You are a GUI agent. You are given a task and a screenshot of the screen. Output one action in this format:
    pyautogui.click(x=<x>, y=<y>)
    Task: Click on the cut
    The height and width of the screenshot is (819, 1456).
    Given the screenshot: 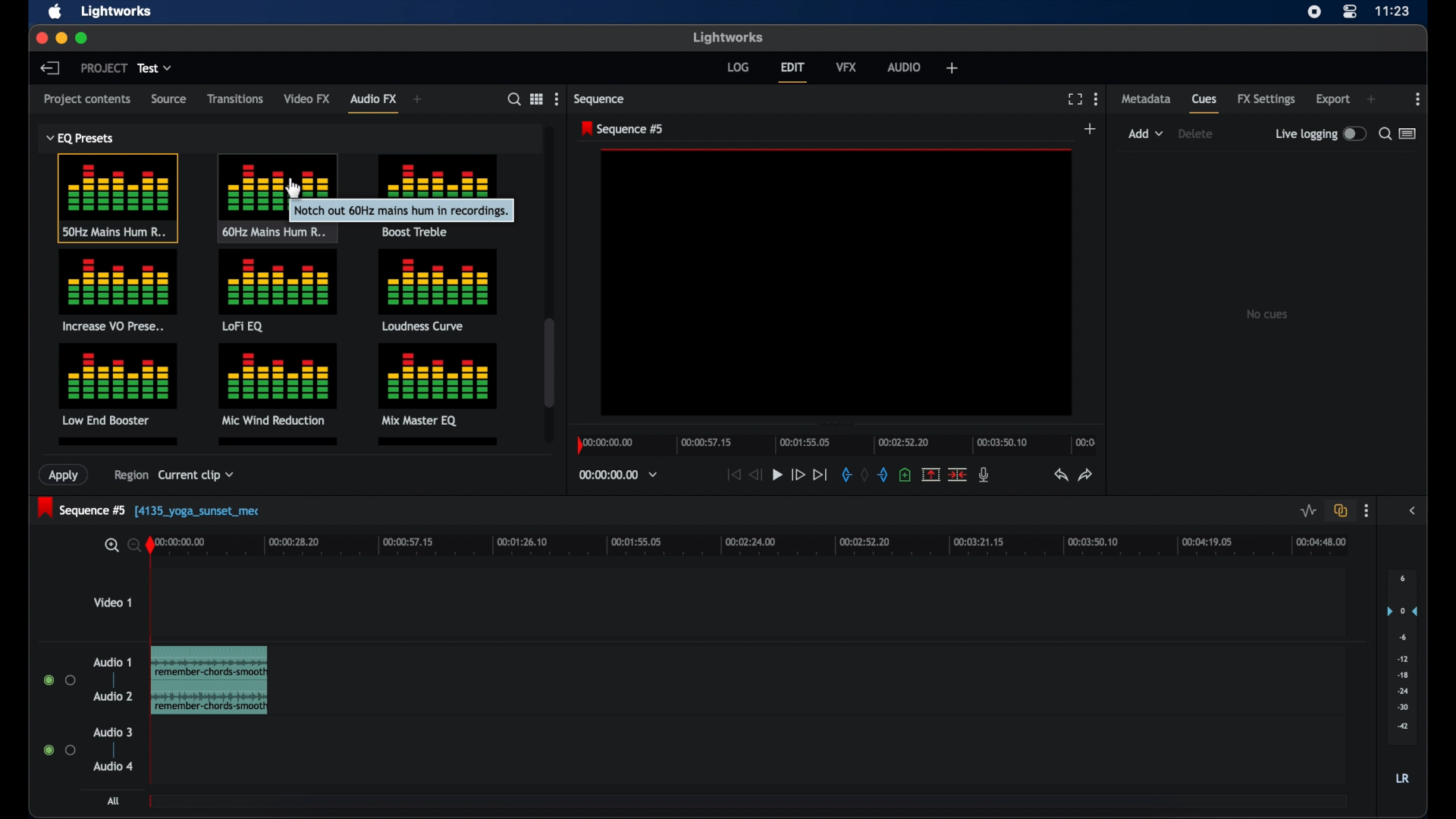 What is the action you would take?
    pyautogui.click(x=957, y=475)
    